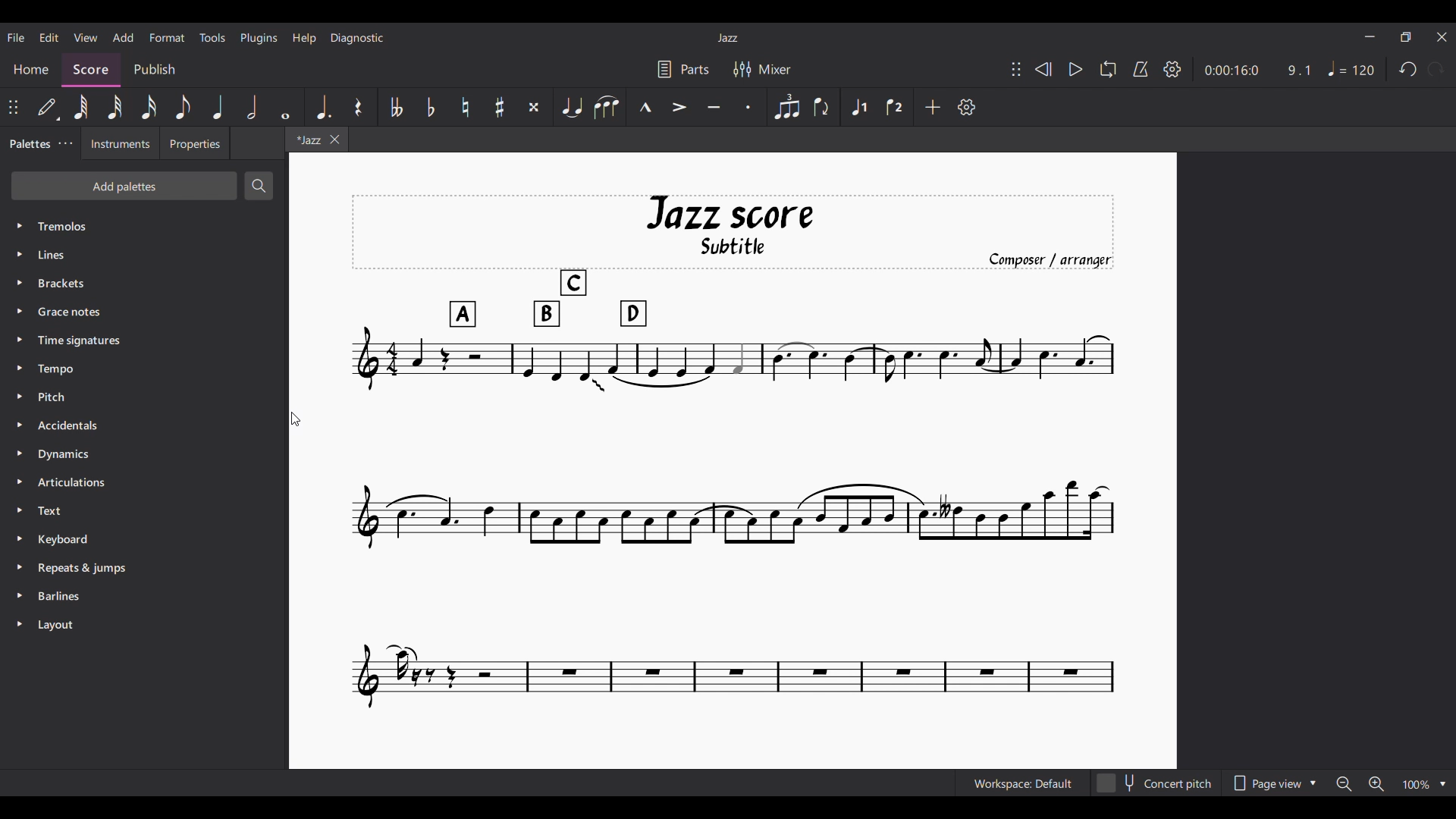 The height and width of the screenshot is (819, 1456). Describe the element at coordinates (396, 107) in the screenshot. I see `Toggle double flat` at that location.